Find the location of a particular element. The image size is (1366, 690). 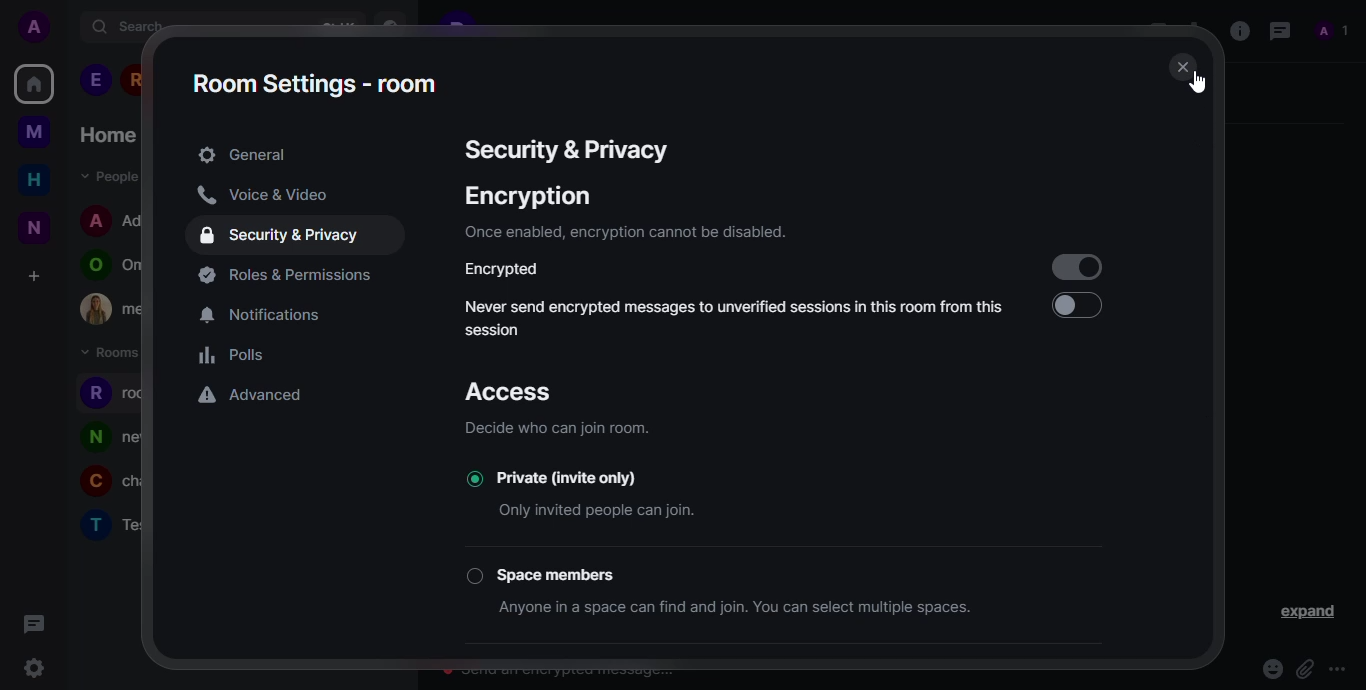

Encrypted is located at coordinates (514, 270).